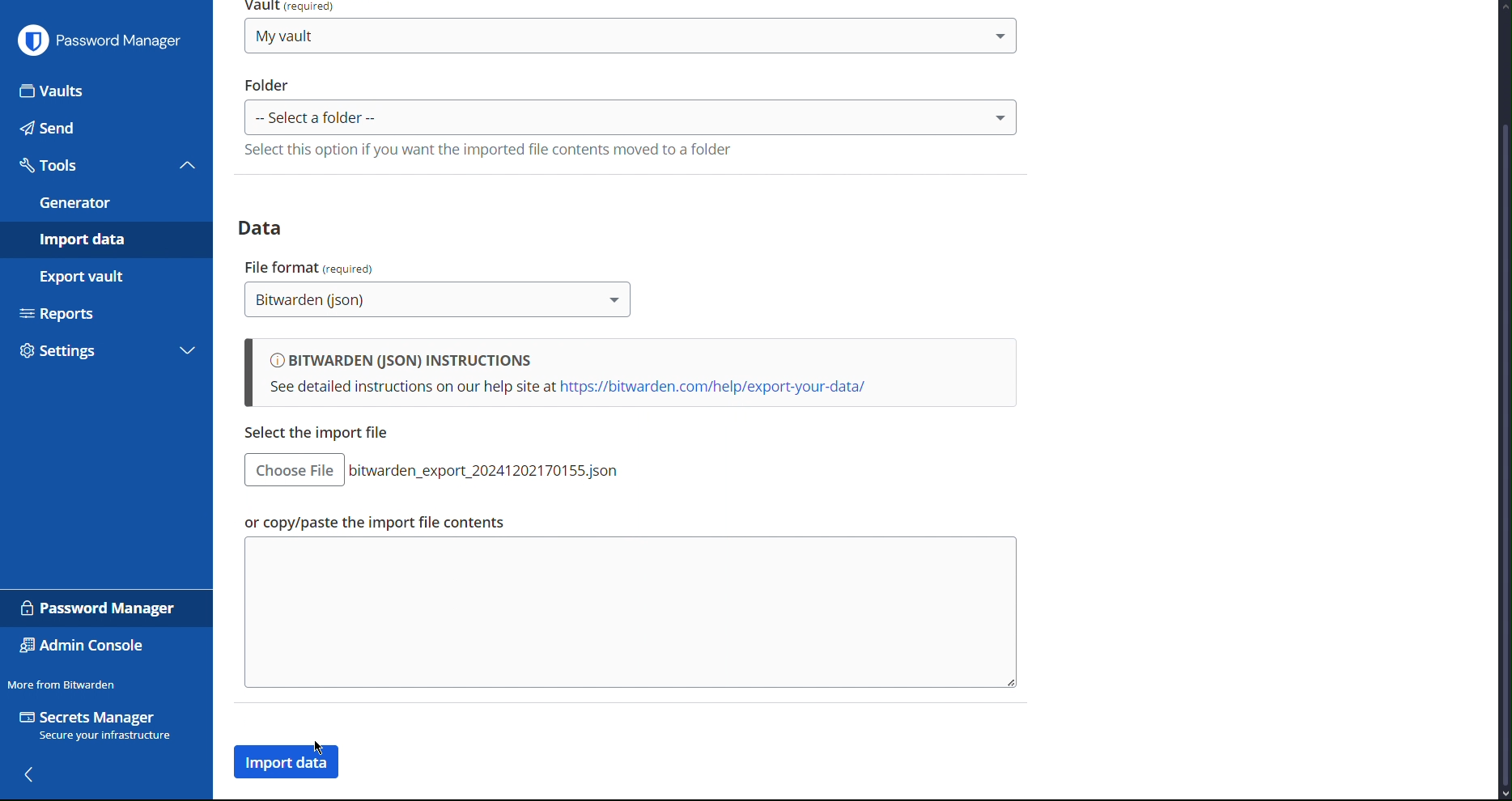  Describe the element at coordinates (631, 117) in the screenshot. I see `select Folder` at that location.